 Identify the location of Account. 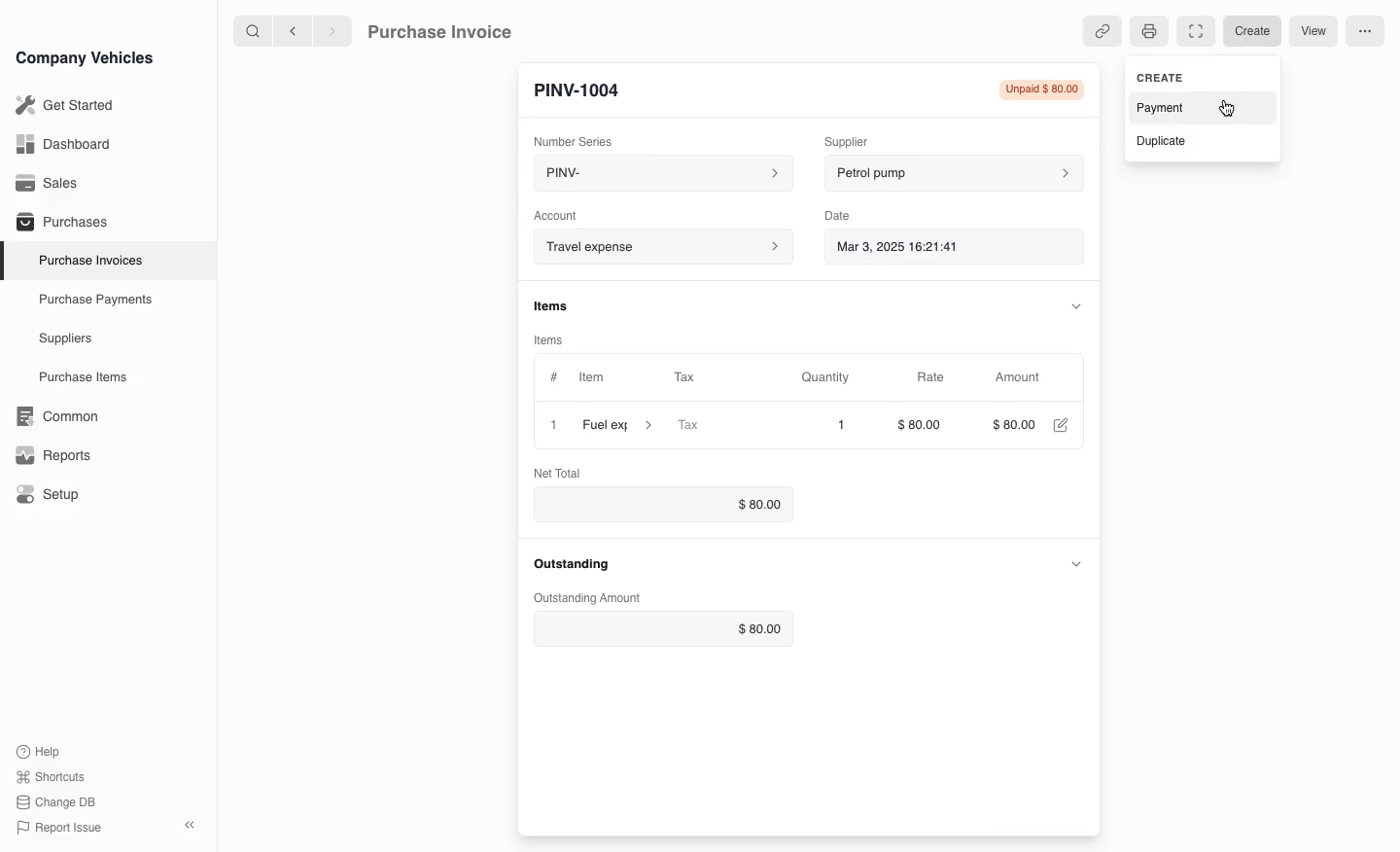
(556, 214).